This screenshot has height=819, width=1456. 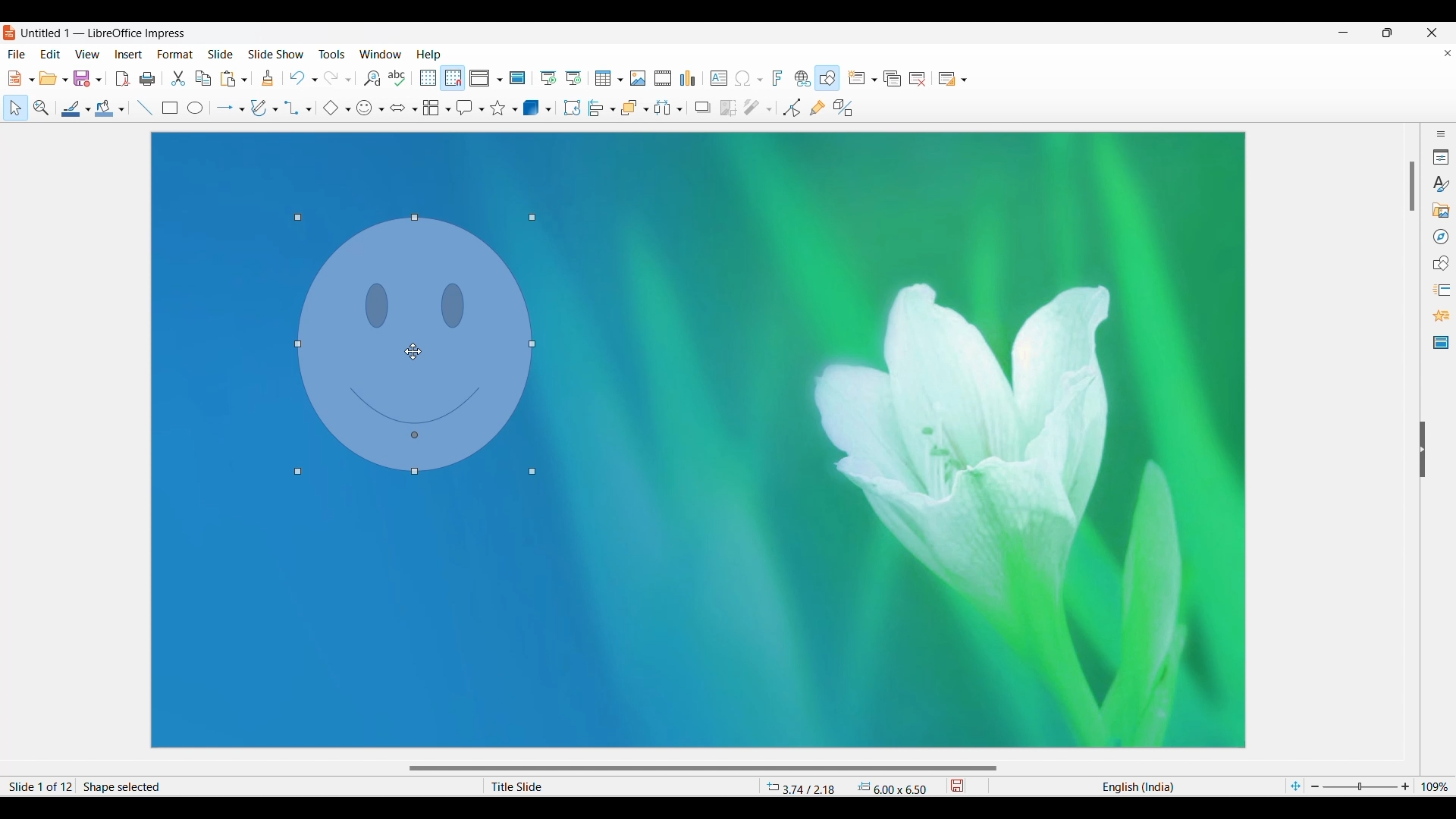 What do you see at coordinates (105, 32) in the screenshot?
I see `Untitled 1 - LibreOffice Impress` at bounding box center [105, 32].